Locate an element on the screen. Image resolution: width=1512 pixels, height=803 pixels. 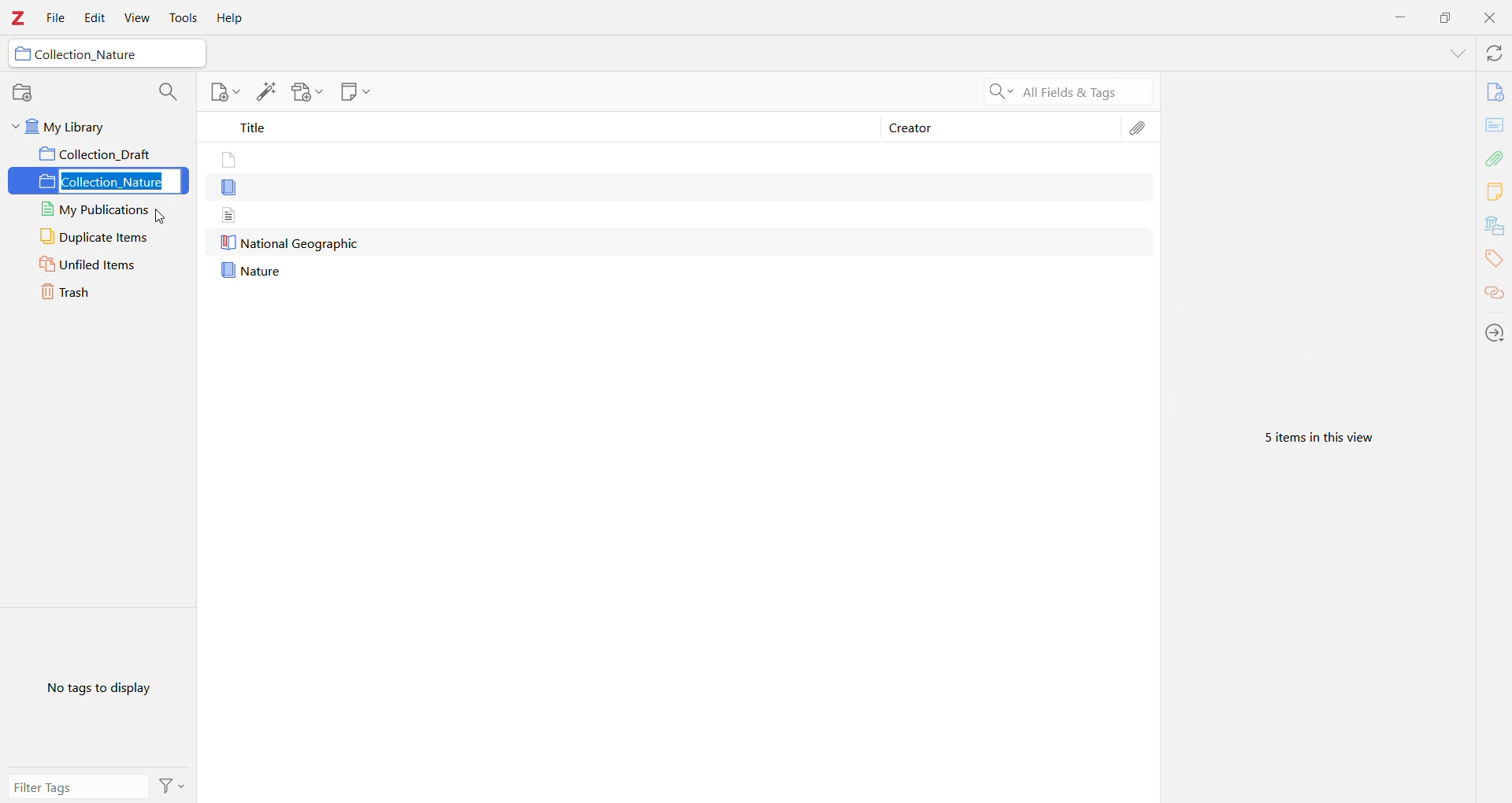
nature is located at coordinates (272, 269).